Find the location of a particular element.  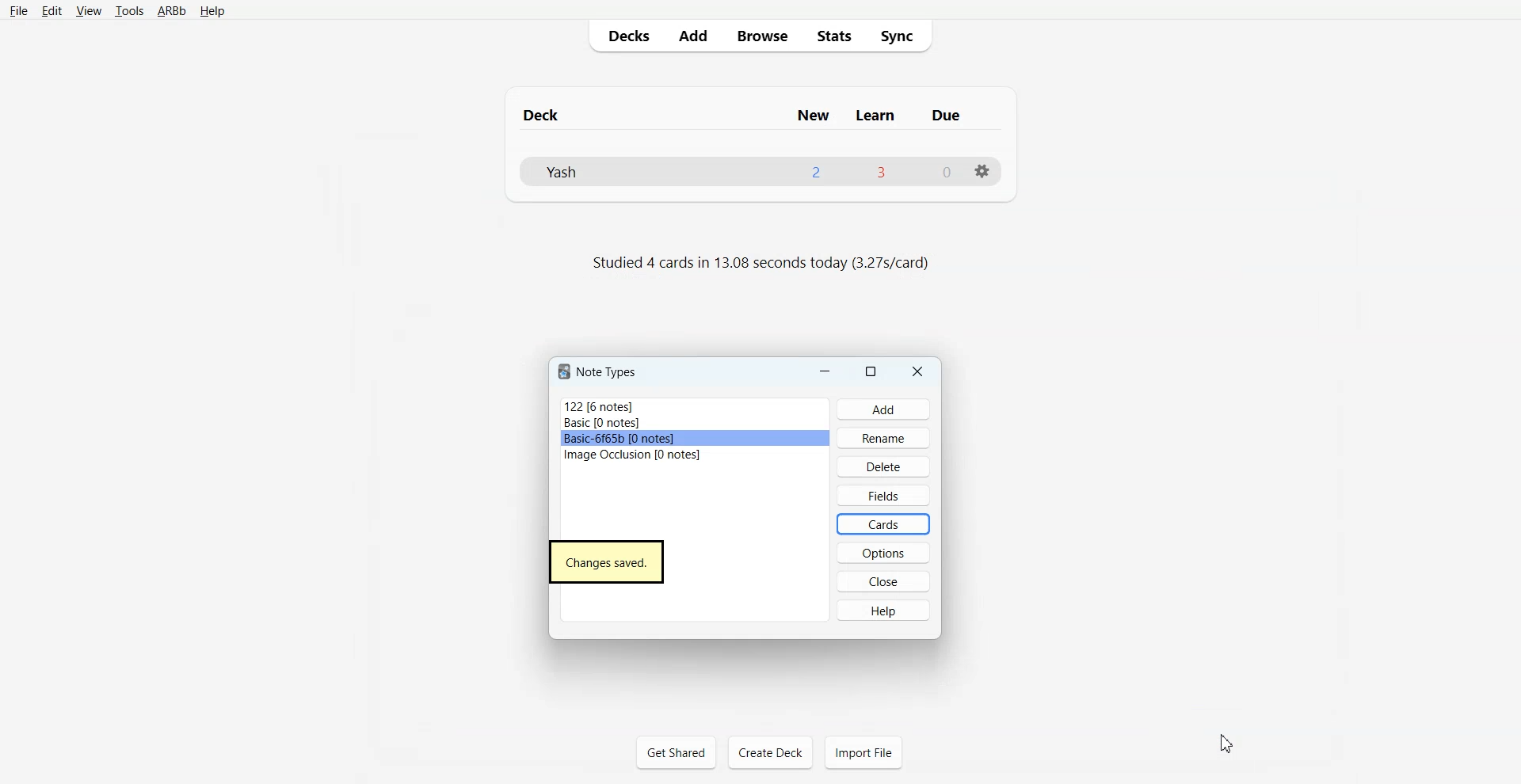

File is located at coordinates (19, 11).